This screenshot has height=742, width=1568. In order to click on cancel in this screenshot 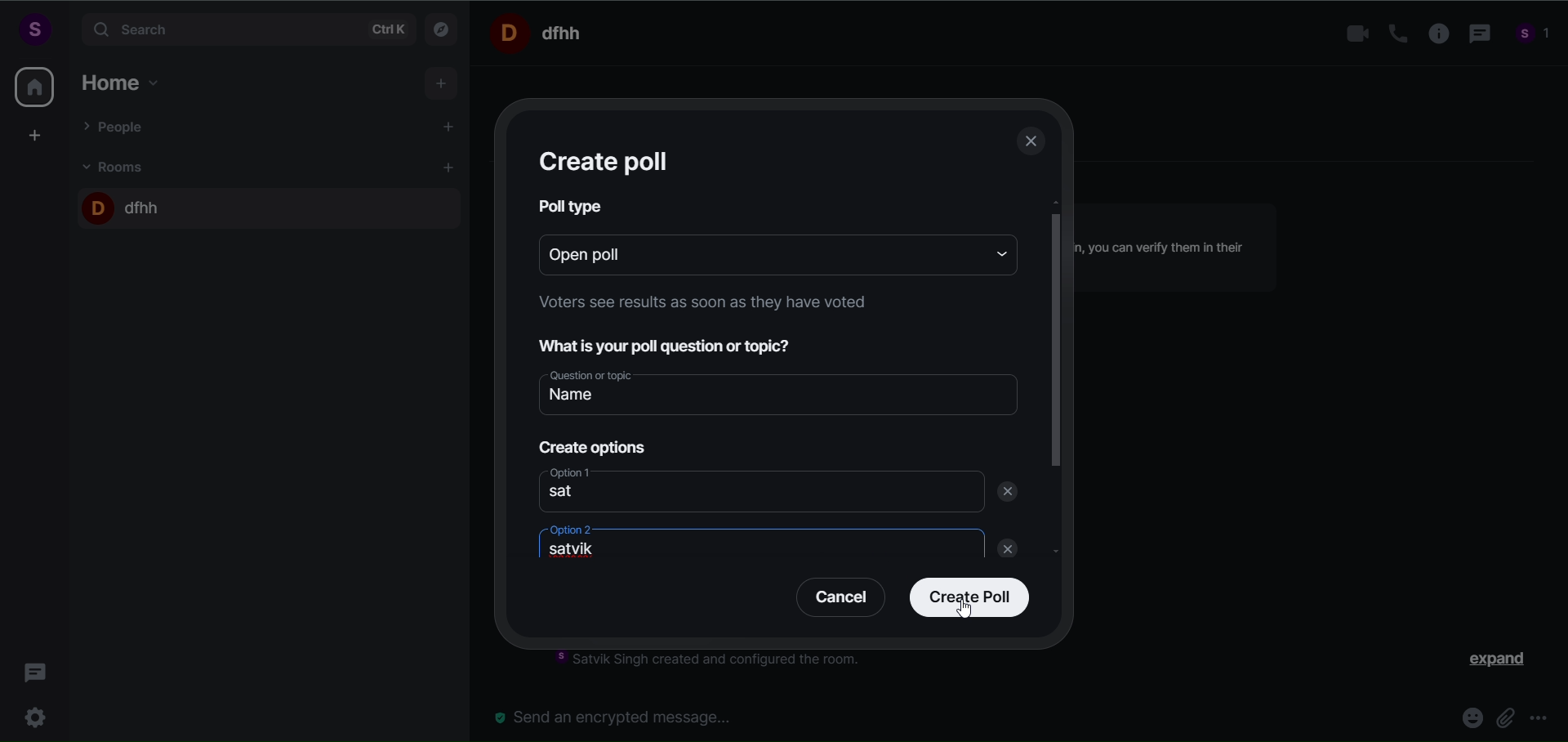, I will do `click(835, 601)`.